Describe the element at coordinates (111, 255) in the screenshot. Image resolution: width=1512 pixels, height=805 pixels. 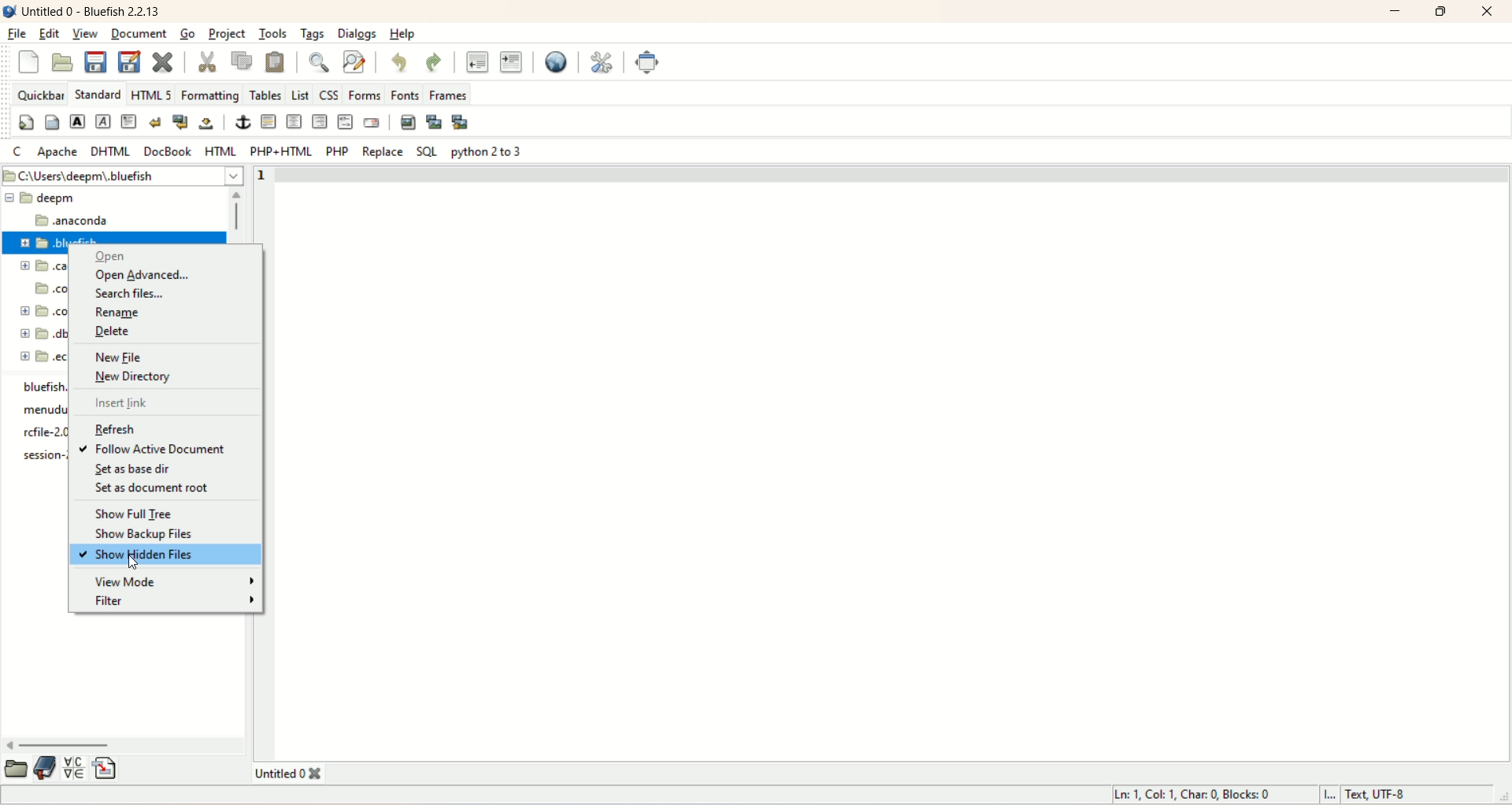
I see `open` at that location.